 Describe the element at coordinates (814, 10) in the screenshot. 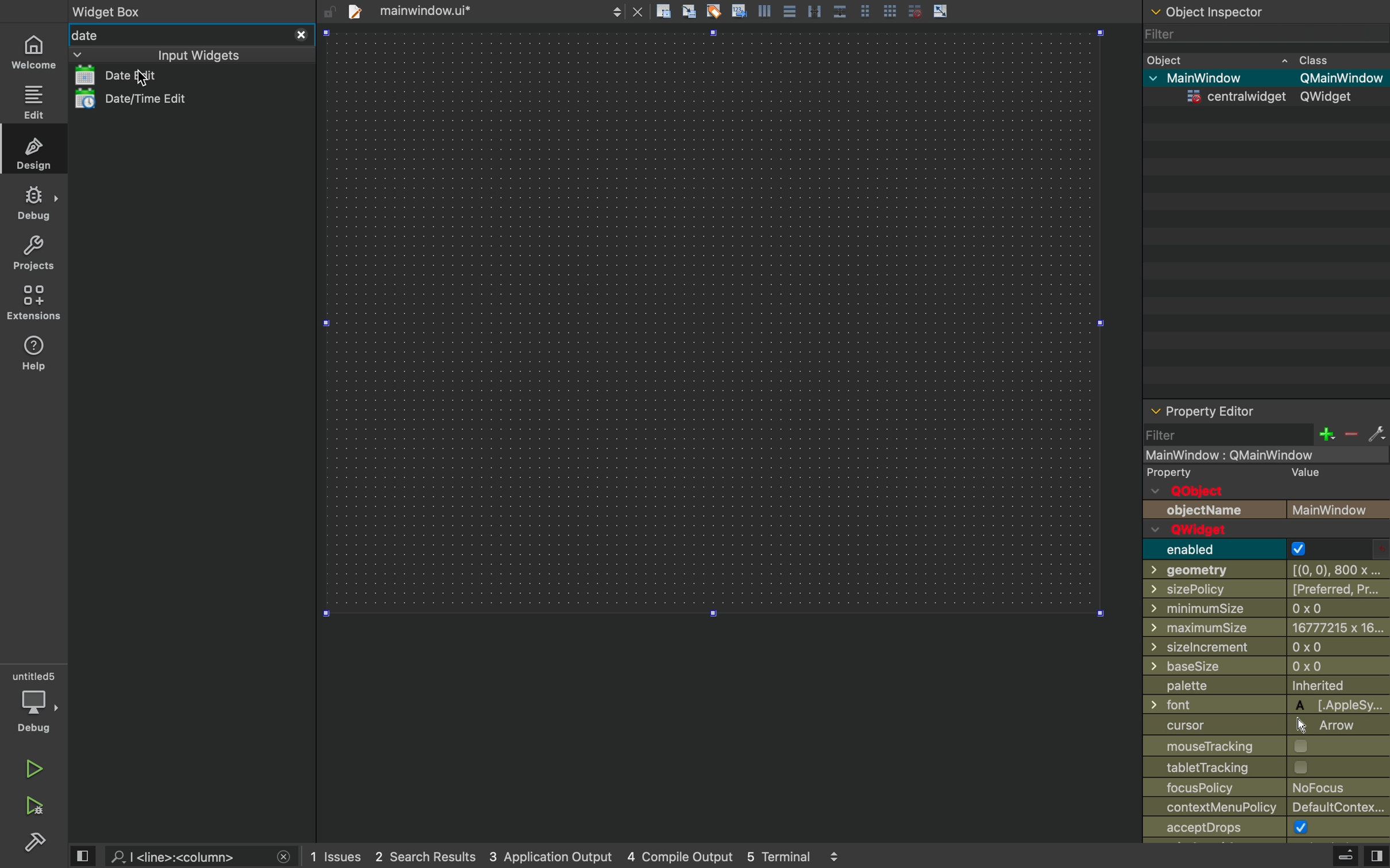

I see `distribute horizontally` at that location.